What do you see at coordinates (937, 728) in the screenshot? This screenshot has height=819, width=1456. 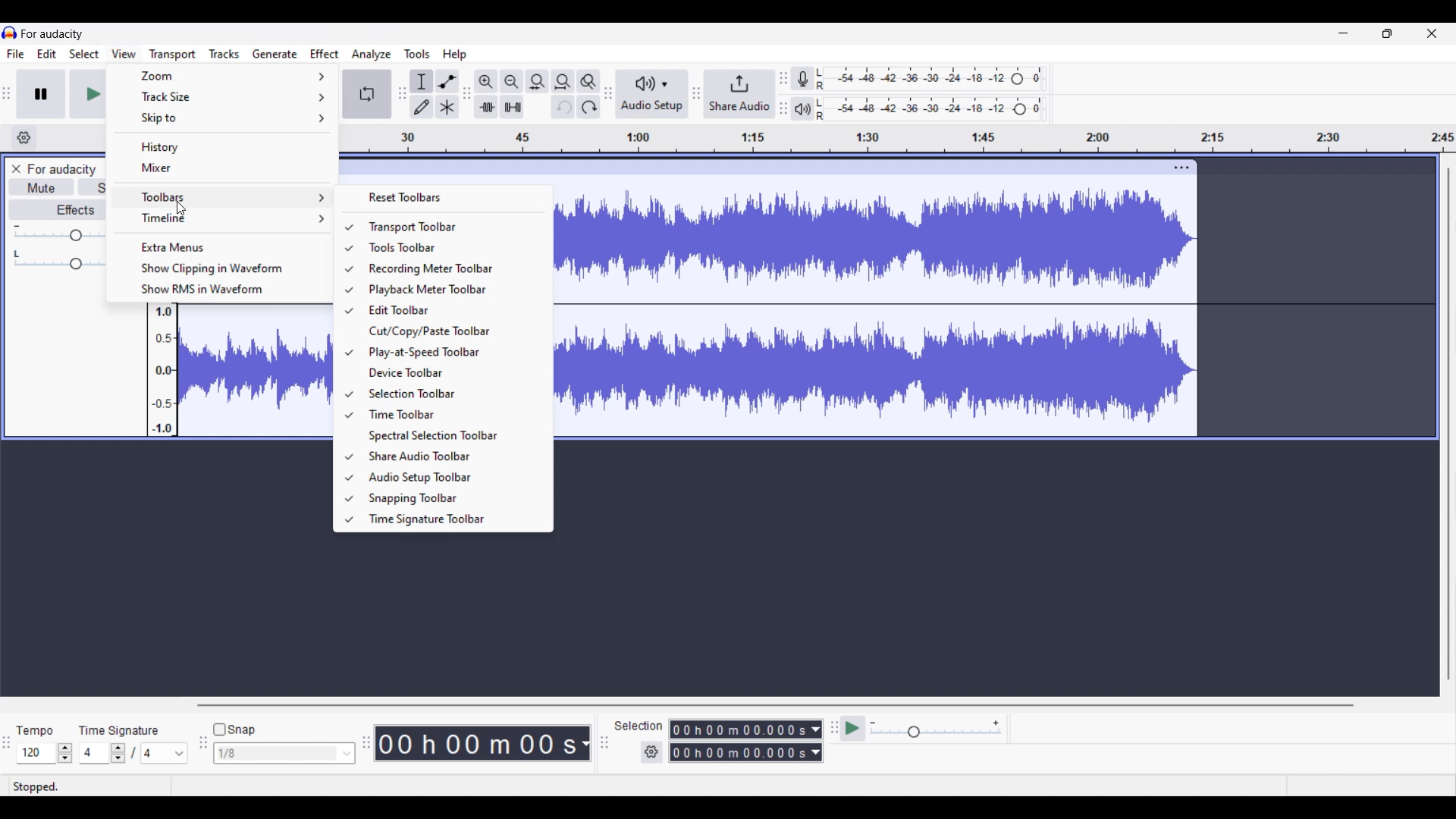 I see `Playback speed settings` at bounding box center [937, 728].